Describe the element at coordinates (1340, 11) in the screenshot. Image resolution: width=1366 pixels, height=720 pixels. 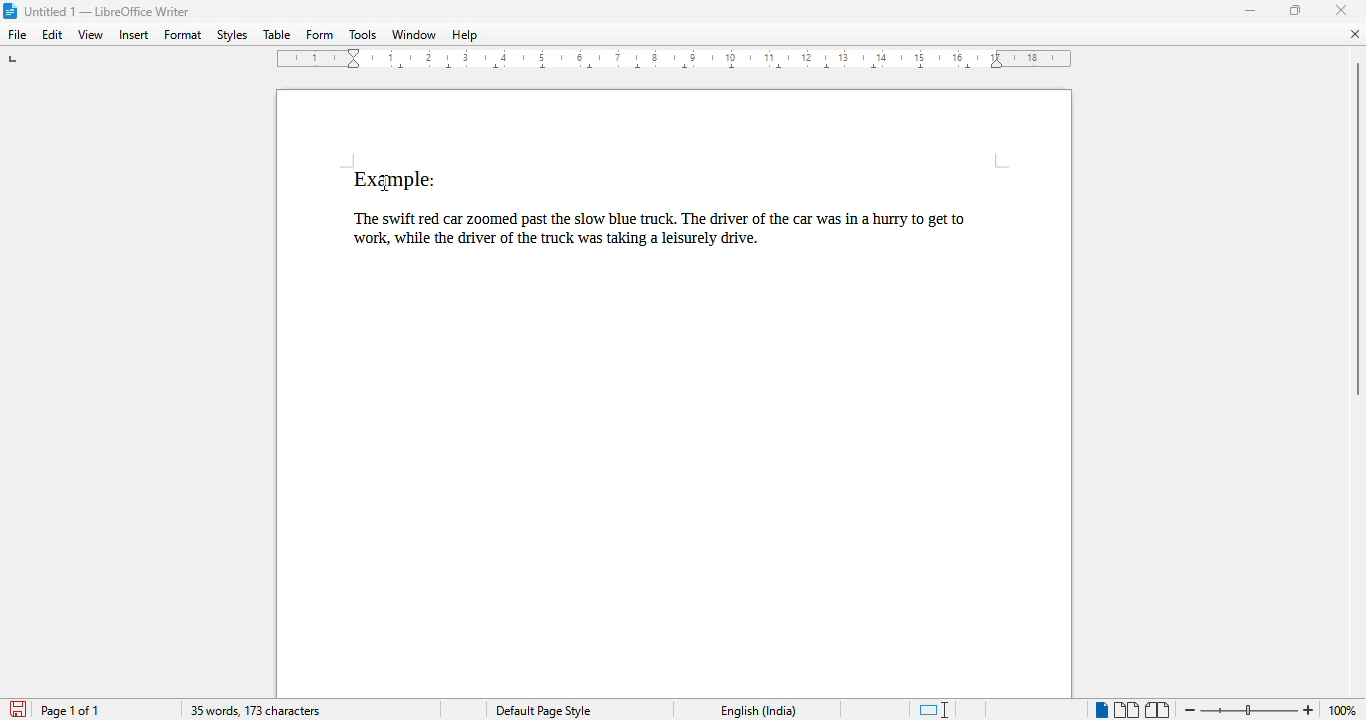
I see `close` at that location.